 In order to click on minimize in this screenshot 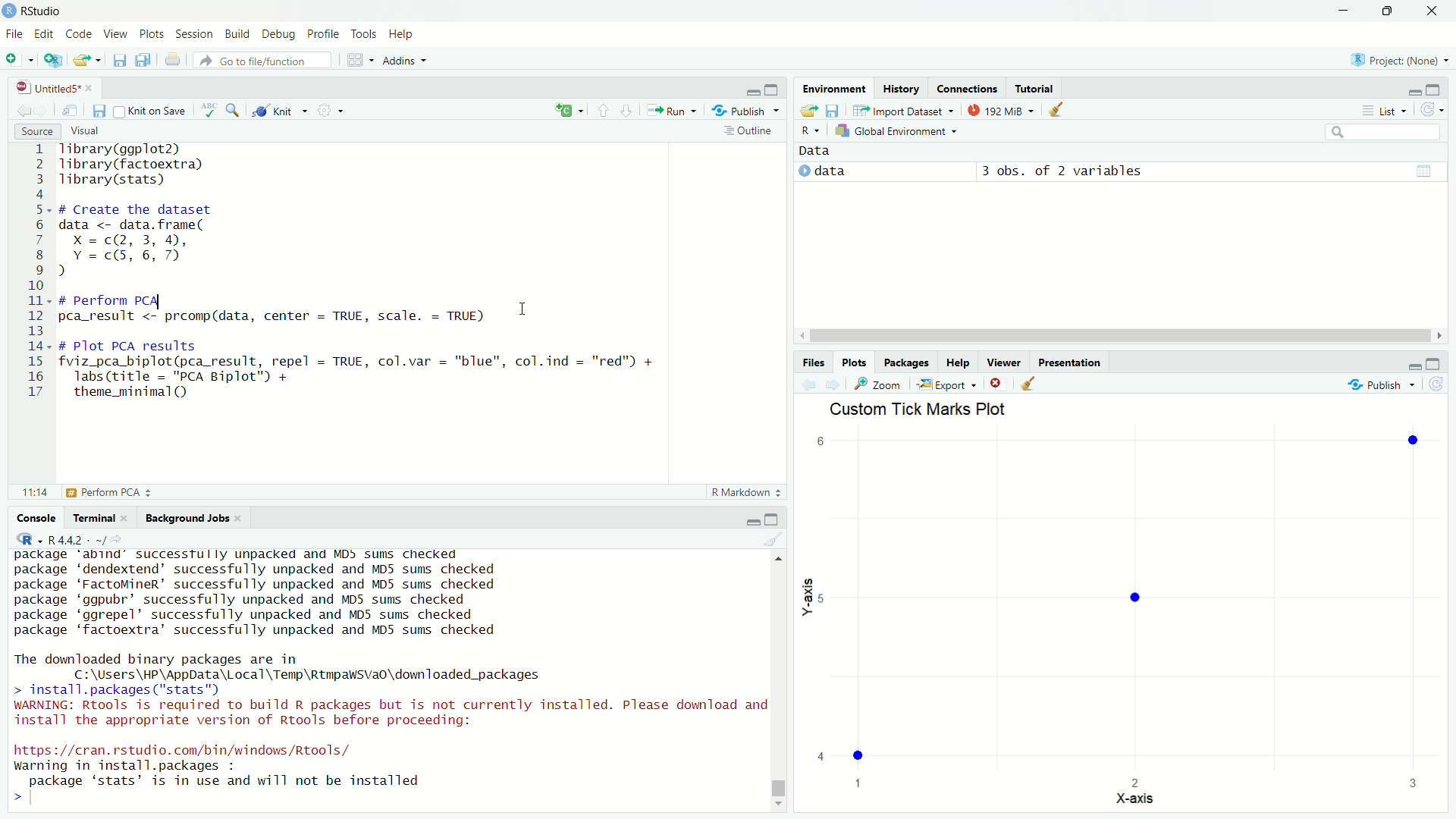, I will do `click(754, 90)`.